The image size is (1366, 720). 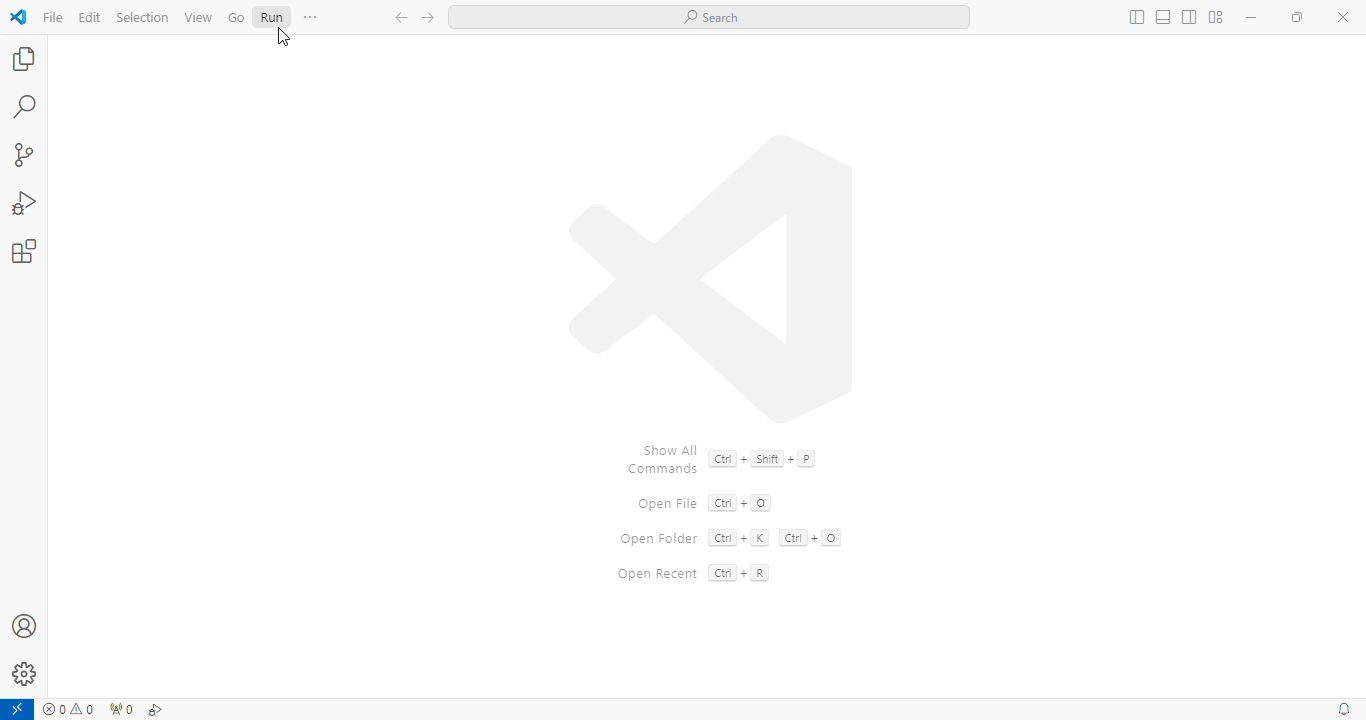 I want to click on Ctrl+R, so click(x=738, y=573).